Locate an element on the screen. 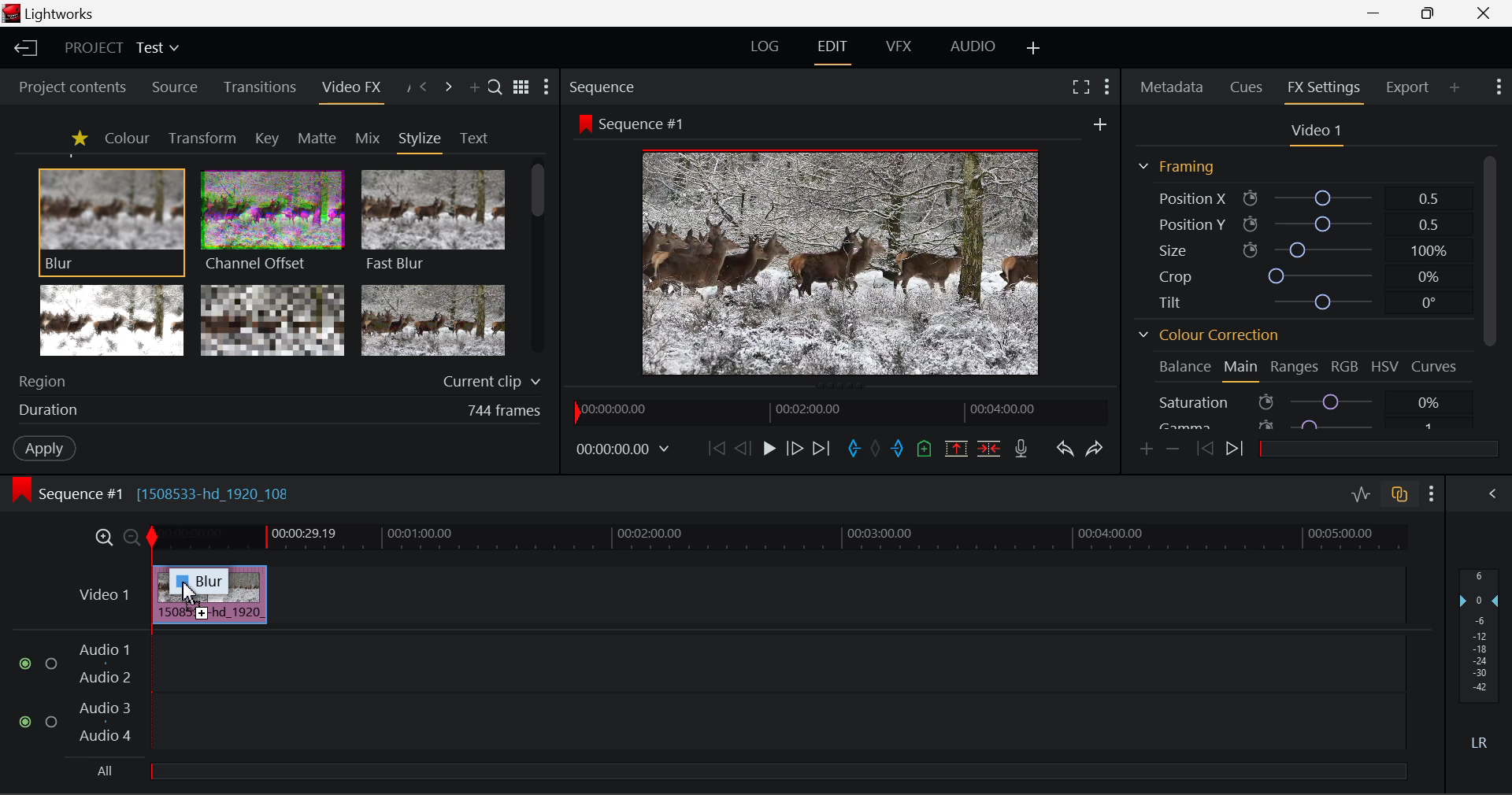  Audio Input Field is located at coordinates (696, 708).